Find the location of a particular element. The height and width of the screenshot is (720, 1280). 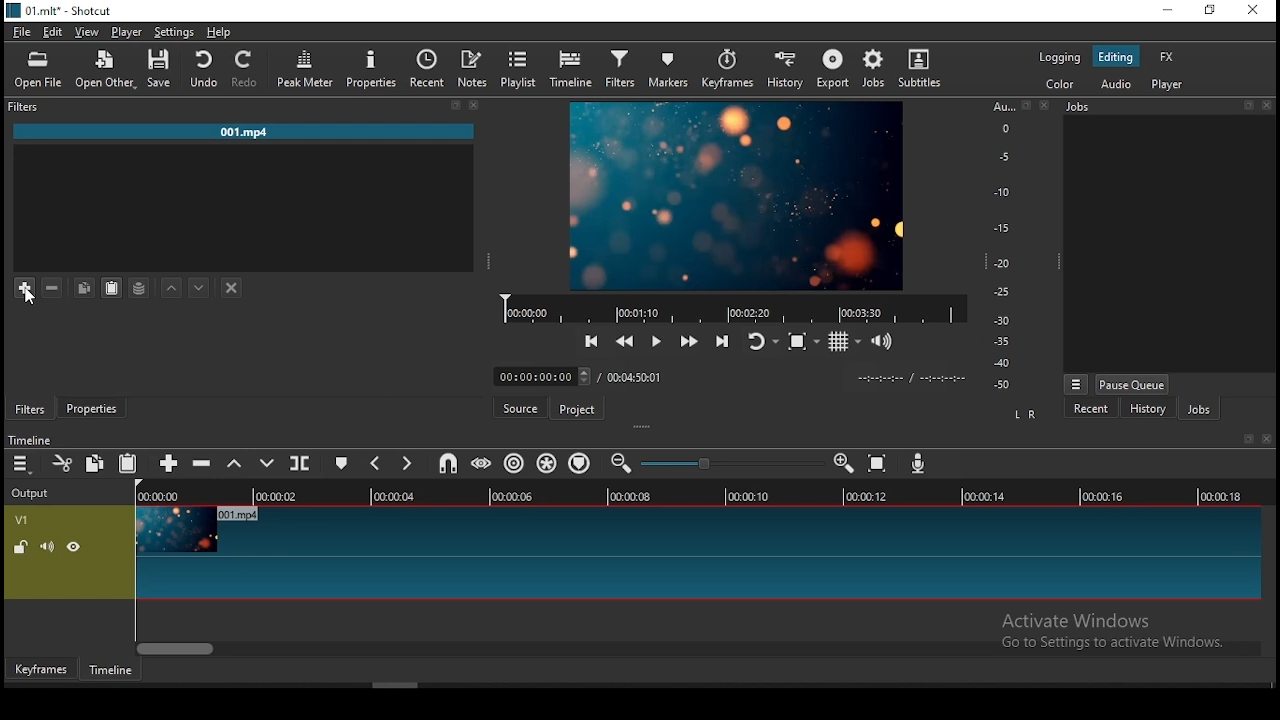

skip to previous point is located at coordinates (592, 343).